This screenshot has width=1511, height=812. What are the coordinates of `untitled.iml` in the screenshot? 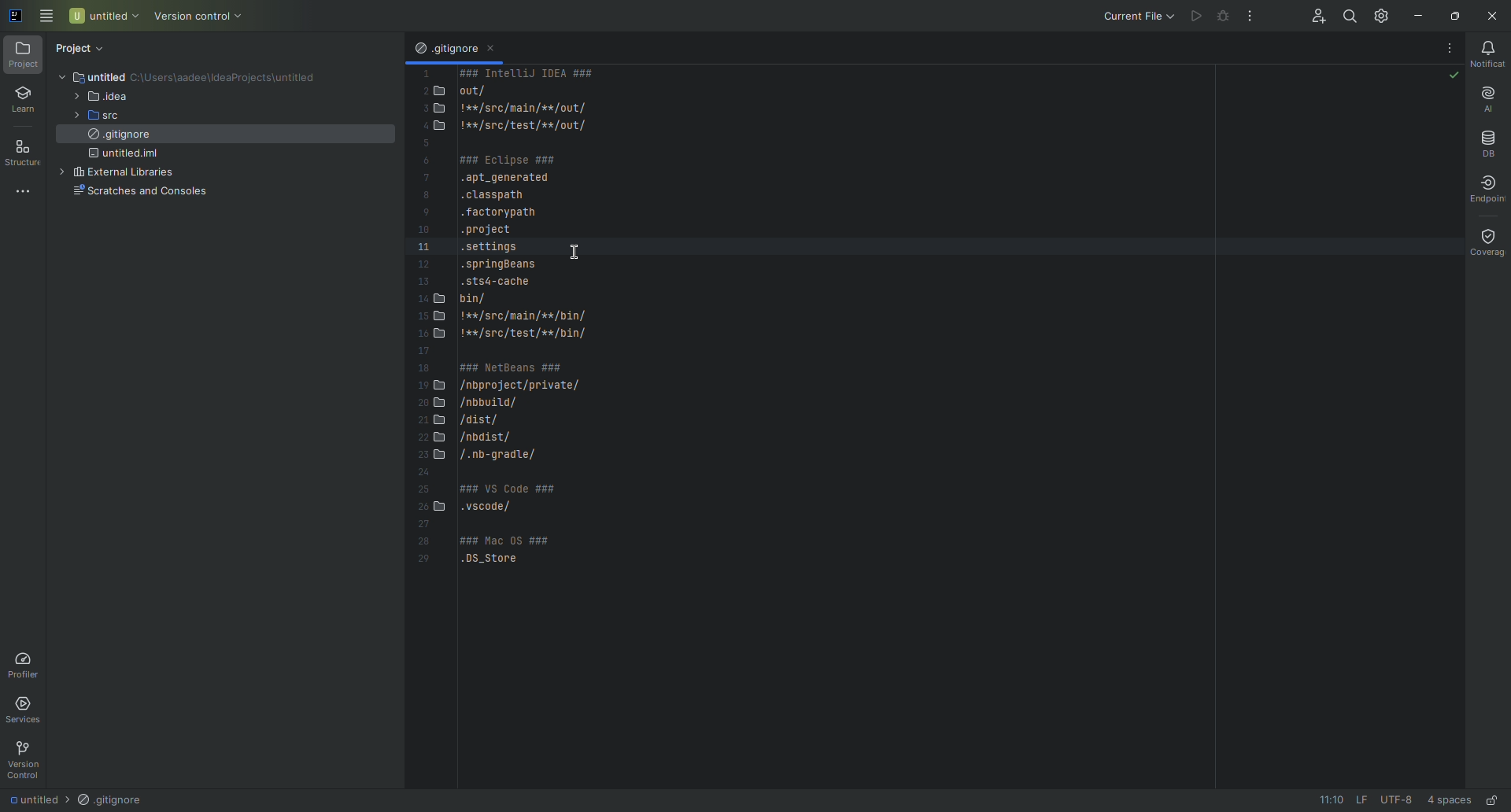 It's located at (129, 157).